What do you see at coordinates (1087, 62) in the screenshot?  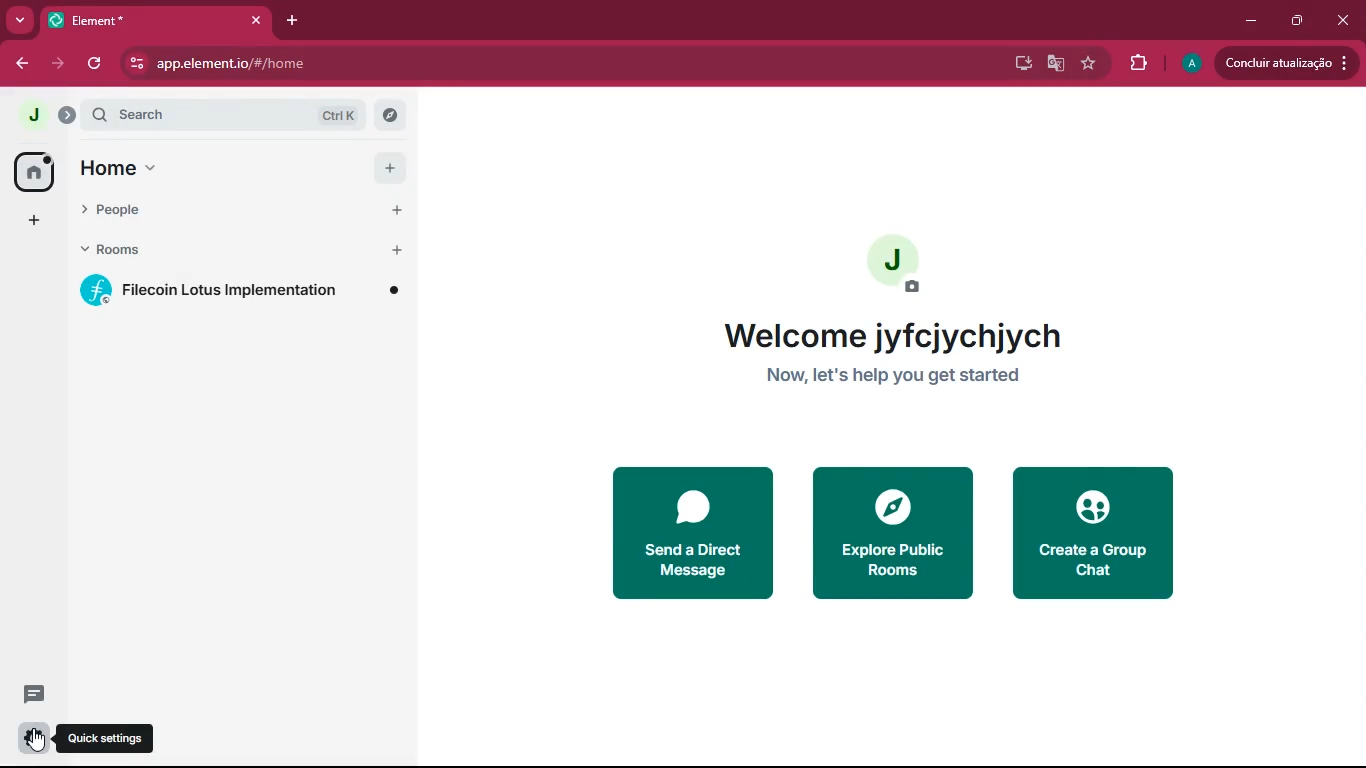 I see `favourite` at bounding box center [1087, 62].